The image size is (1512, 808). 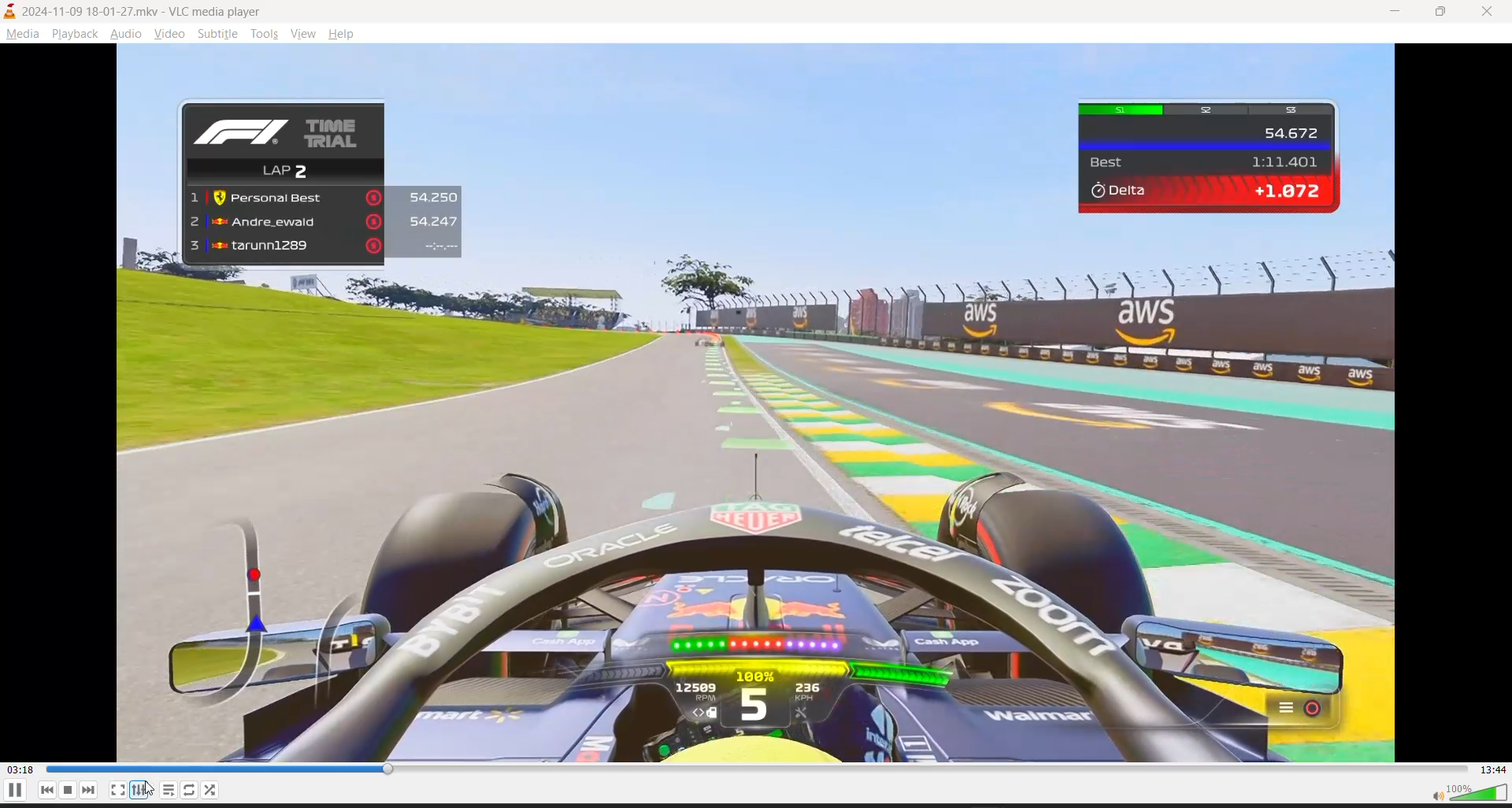 What do you see at coordinates (20, 33) in the screenshot?
I see `media` at bounding box center [20, 33].